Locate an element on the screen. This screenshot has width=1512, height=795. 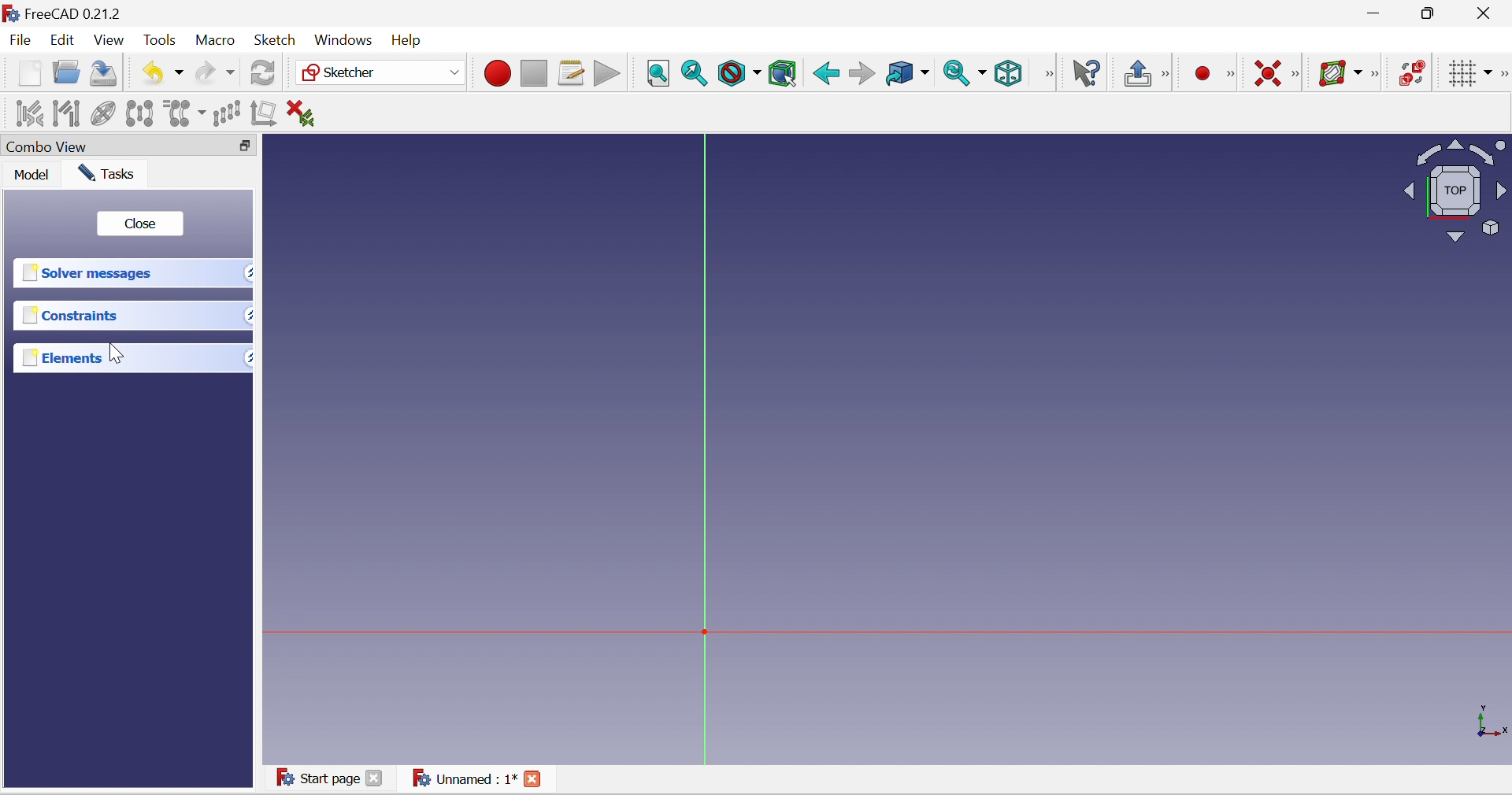
Remove axes alignment is located at coordinates (264, 112).